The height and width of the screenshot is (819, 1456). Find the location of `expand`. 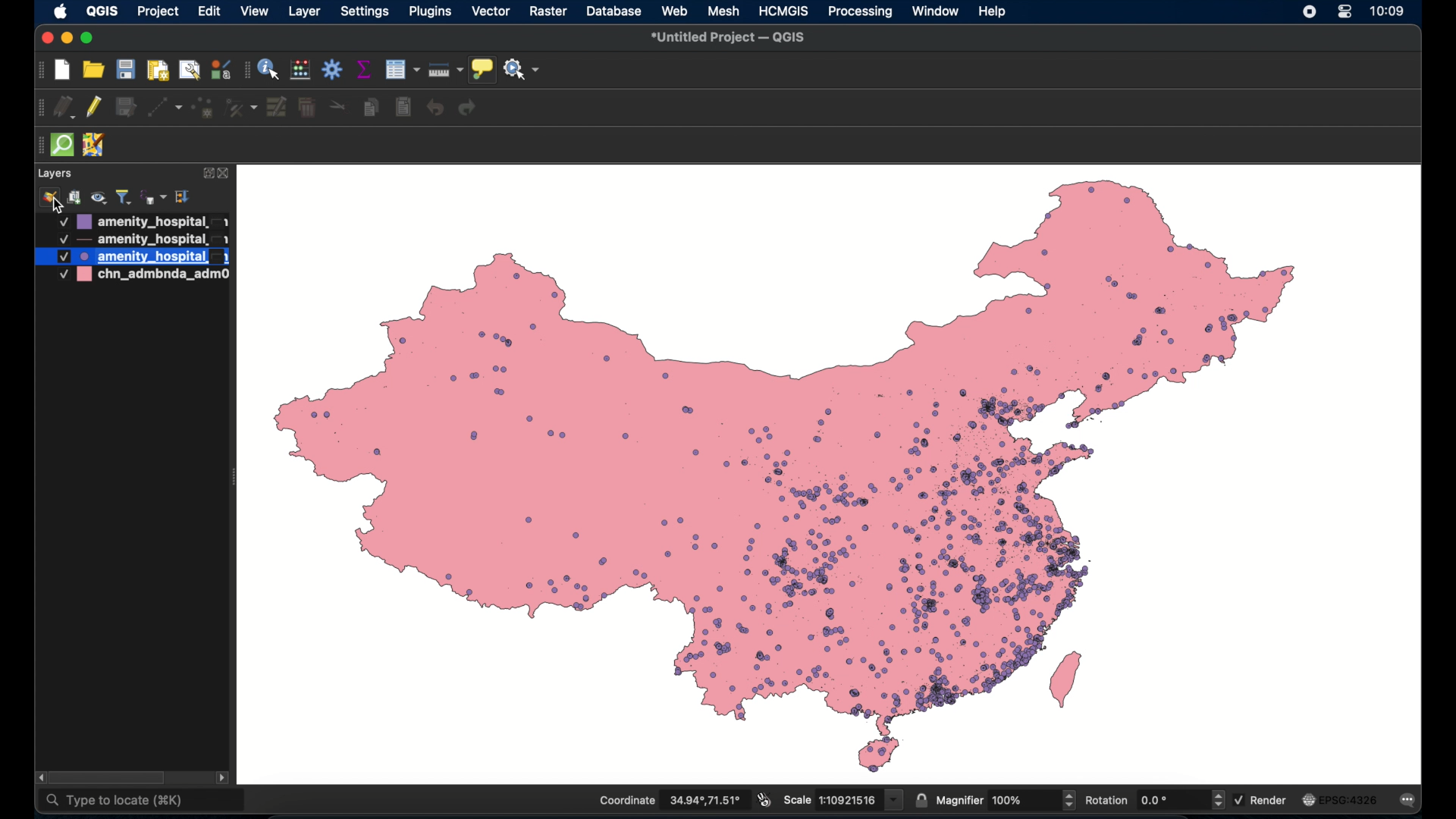

expand is located at coordinates (204, 173).